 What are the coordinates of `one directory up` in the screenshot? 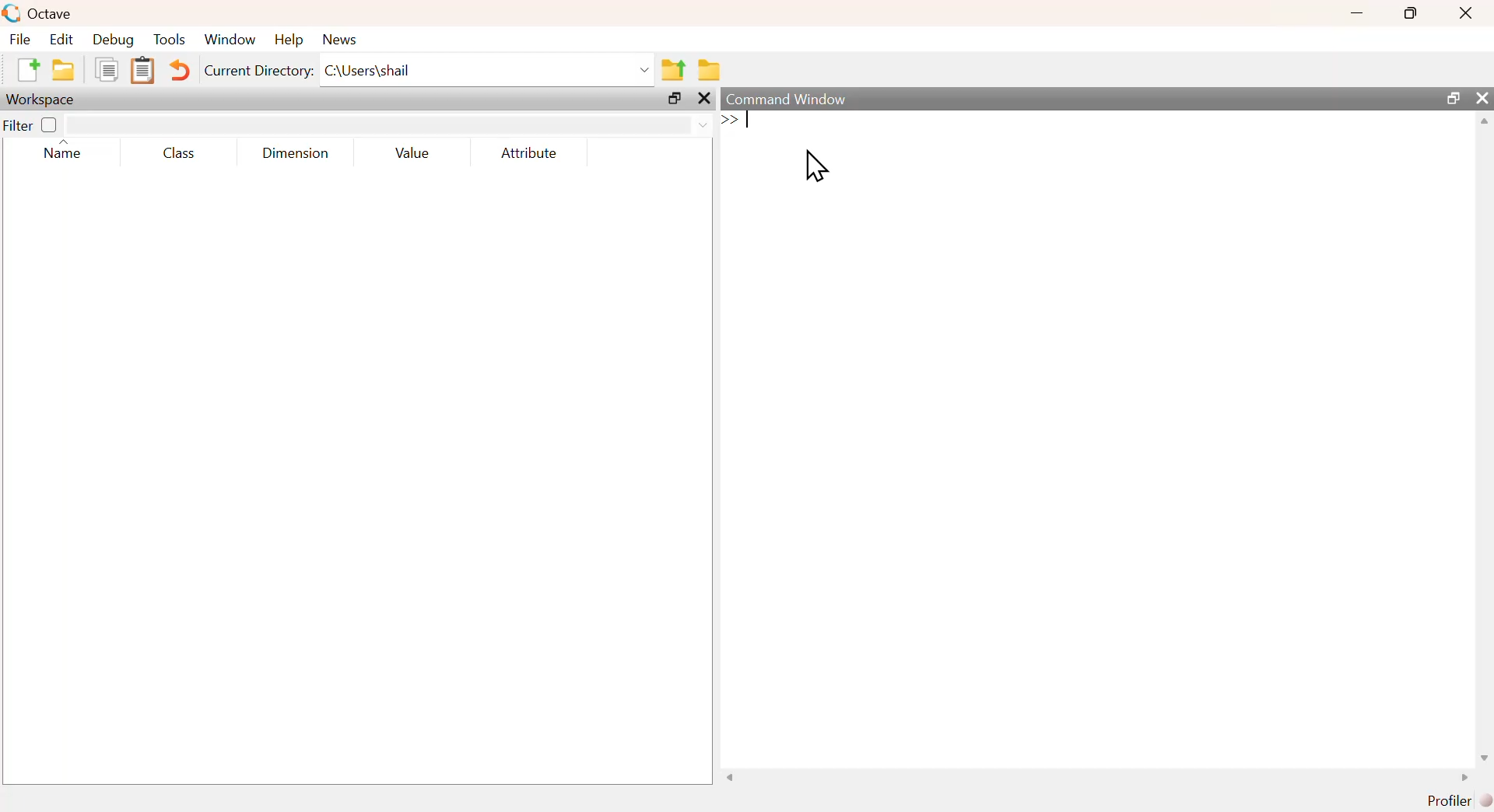 It's located at (675, 68).